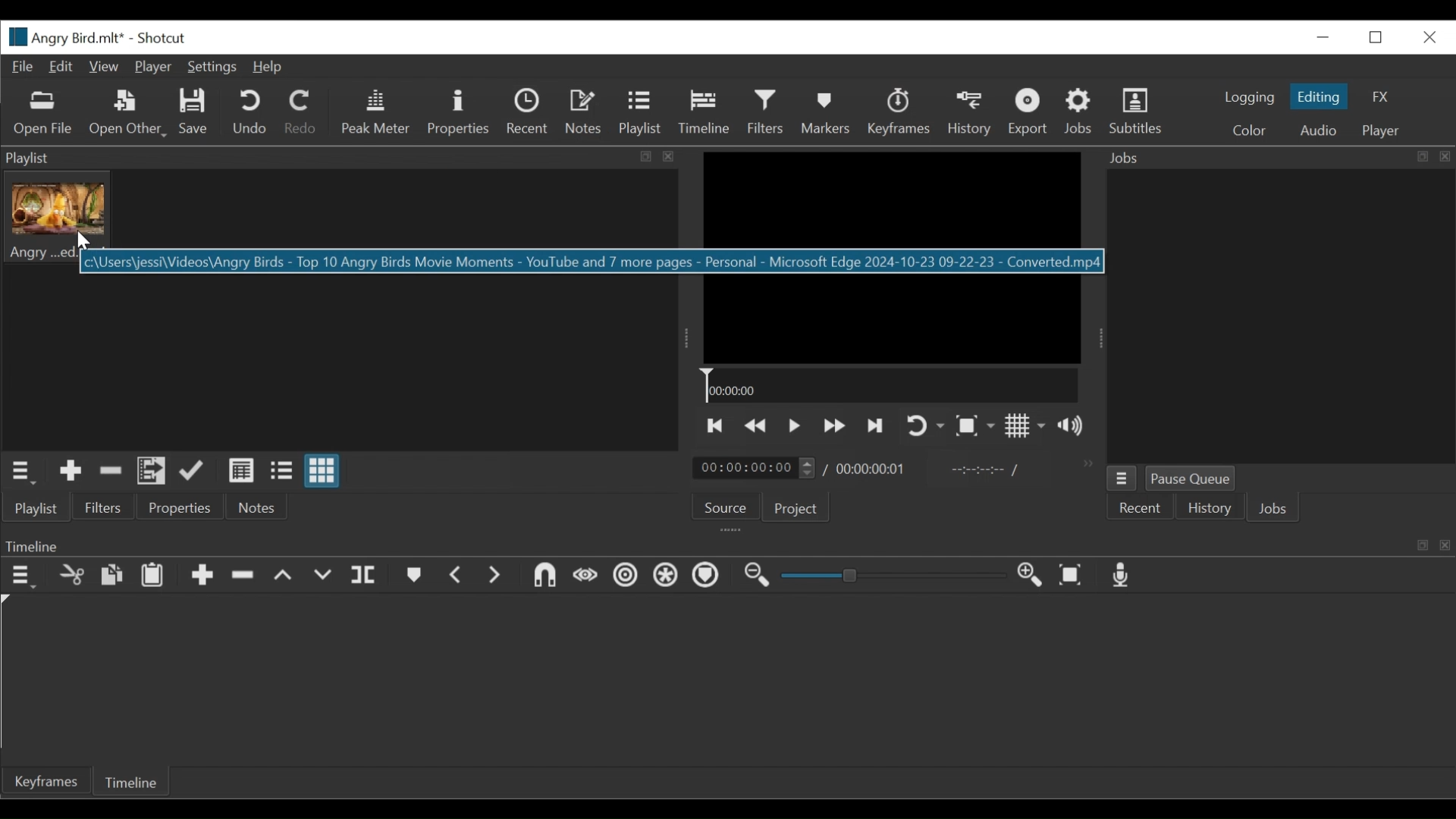  What do you see at coordinates (42, 114) in the screenshot?
I see `Open File` at bounding box center [42, 114].